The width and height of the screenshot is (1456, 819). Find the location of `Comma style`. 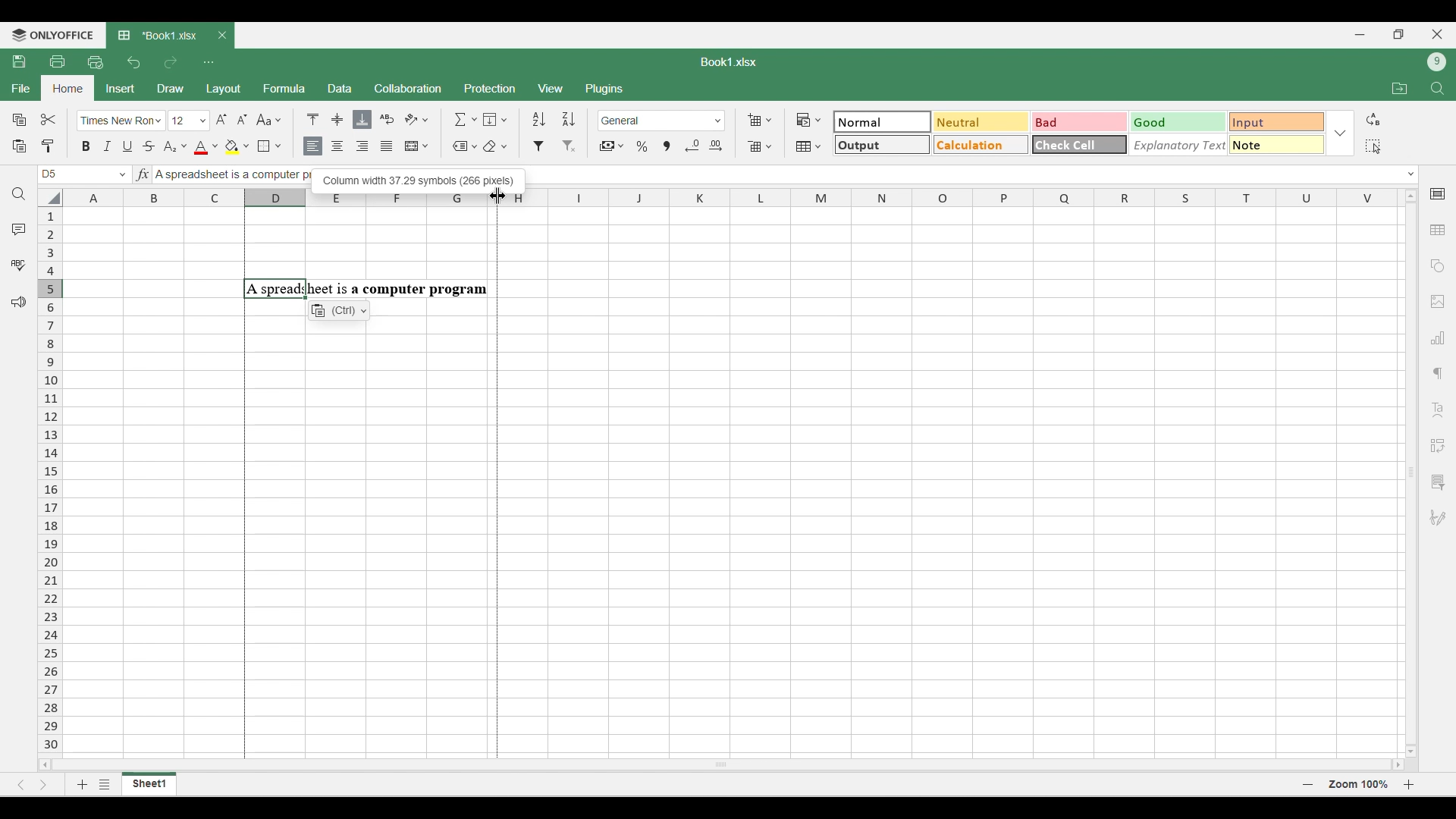

Comma style is located at coordinates (667, 146).